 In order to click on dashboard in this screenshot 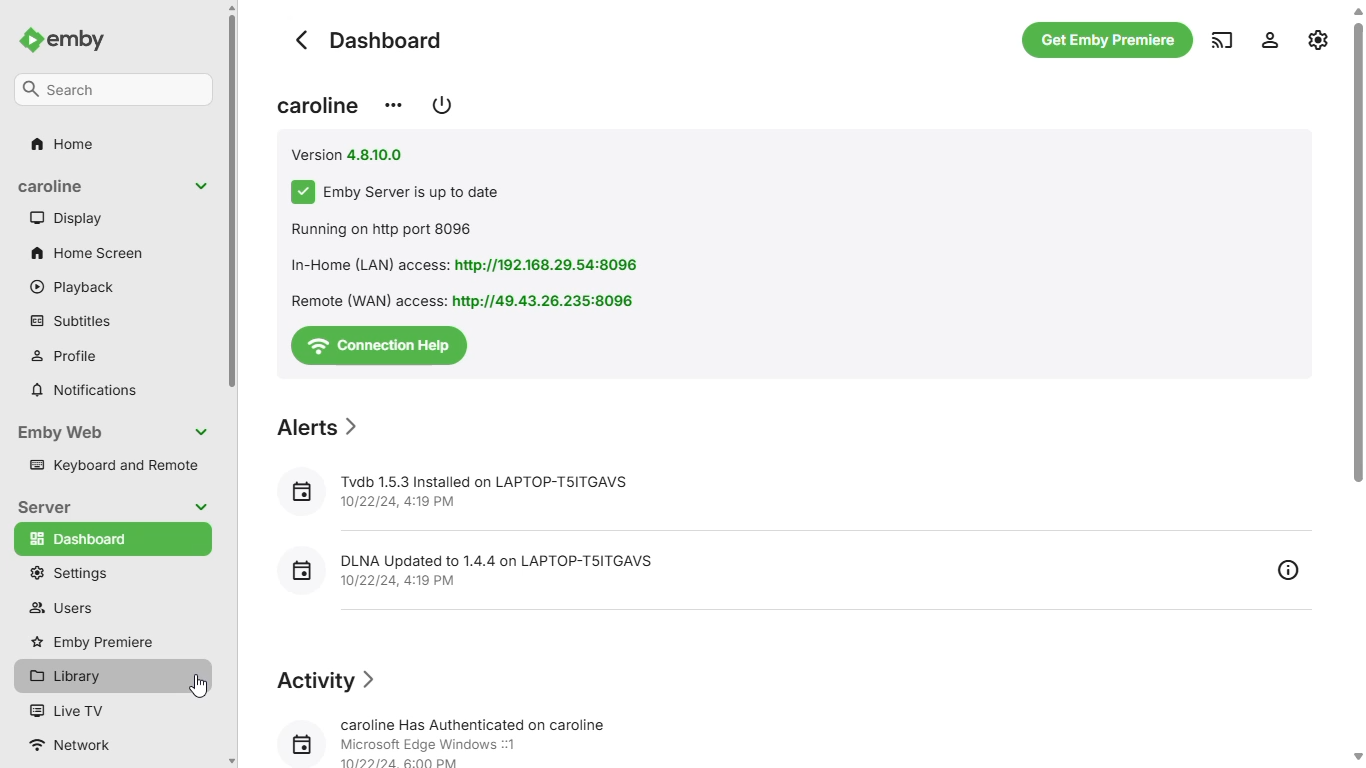, I will do `click(112, 539)`.